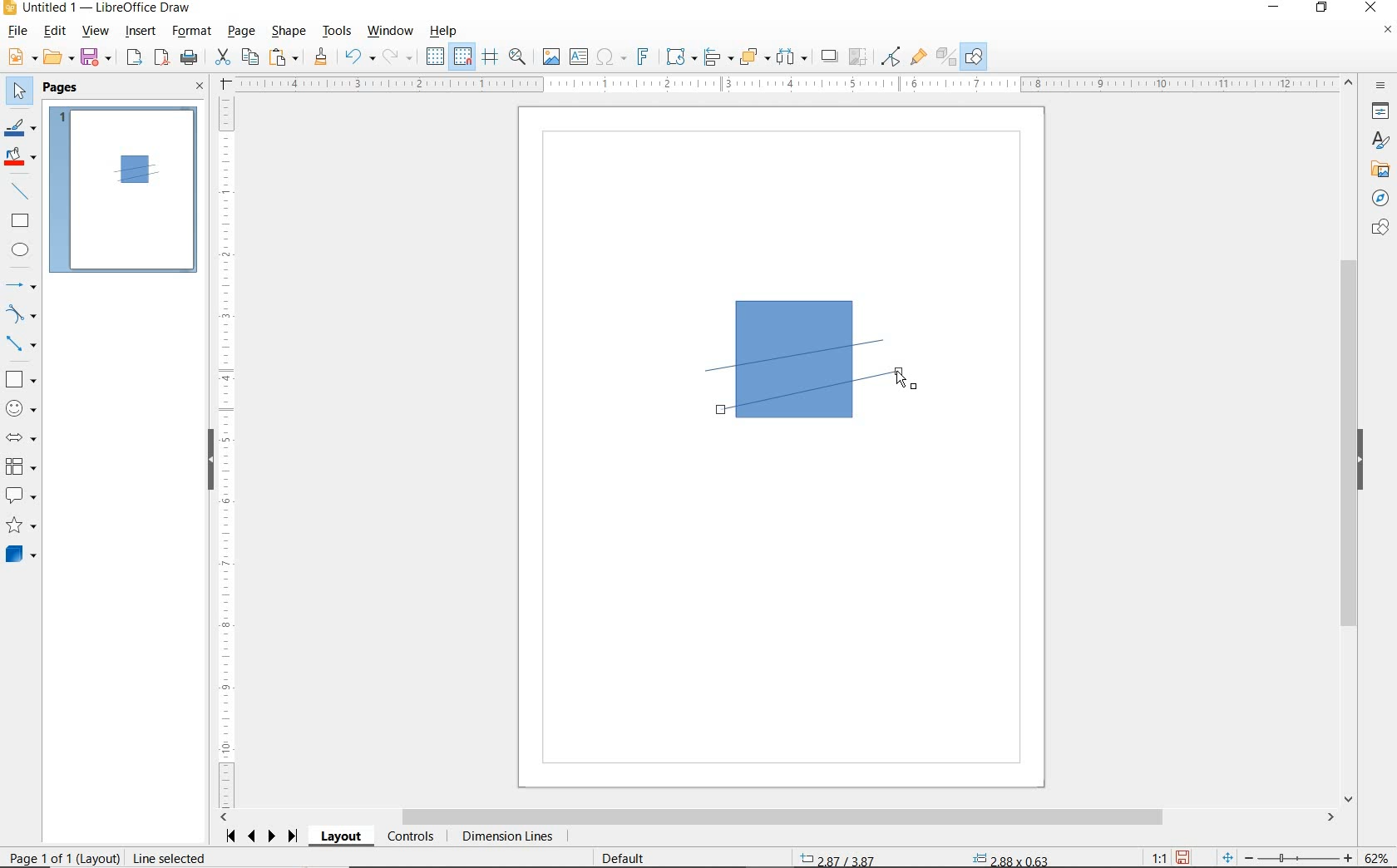 This screenshot has height=868, width=1397. What do you see at coordinates (578, 57) in the screenshot?
I see `INSERT TEXT BOX` at bounding box center [578, 57].